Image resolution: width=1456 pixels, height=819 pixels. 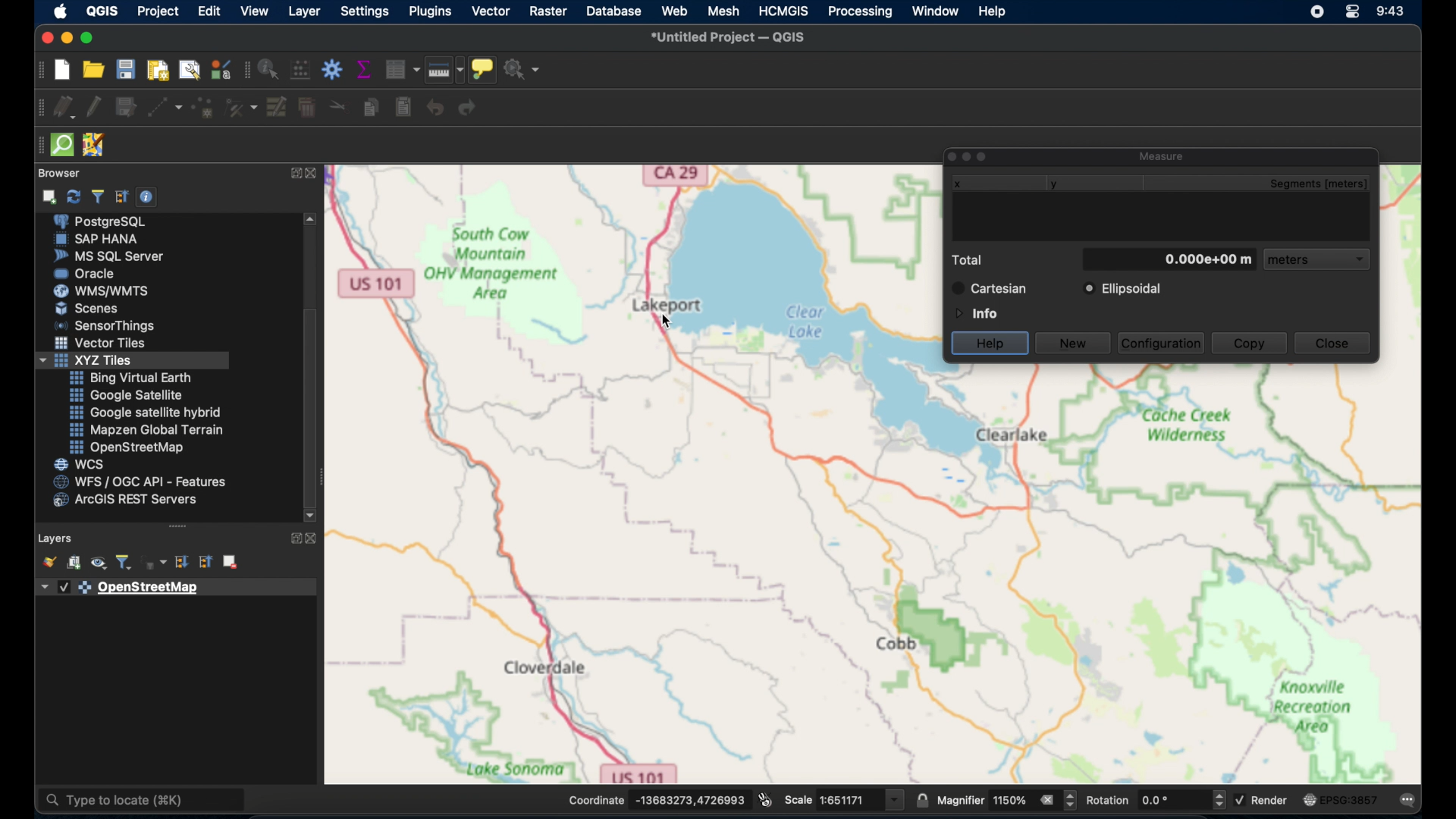 I want to click on y, so click(x=1058, y=184).